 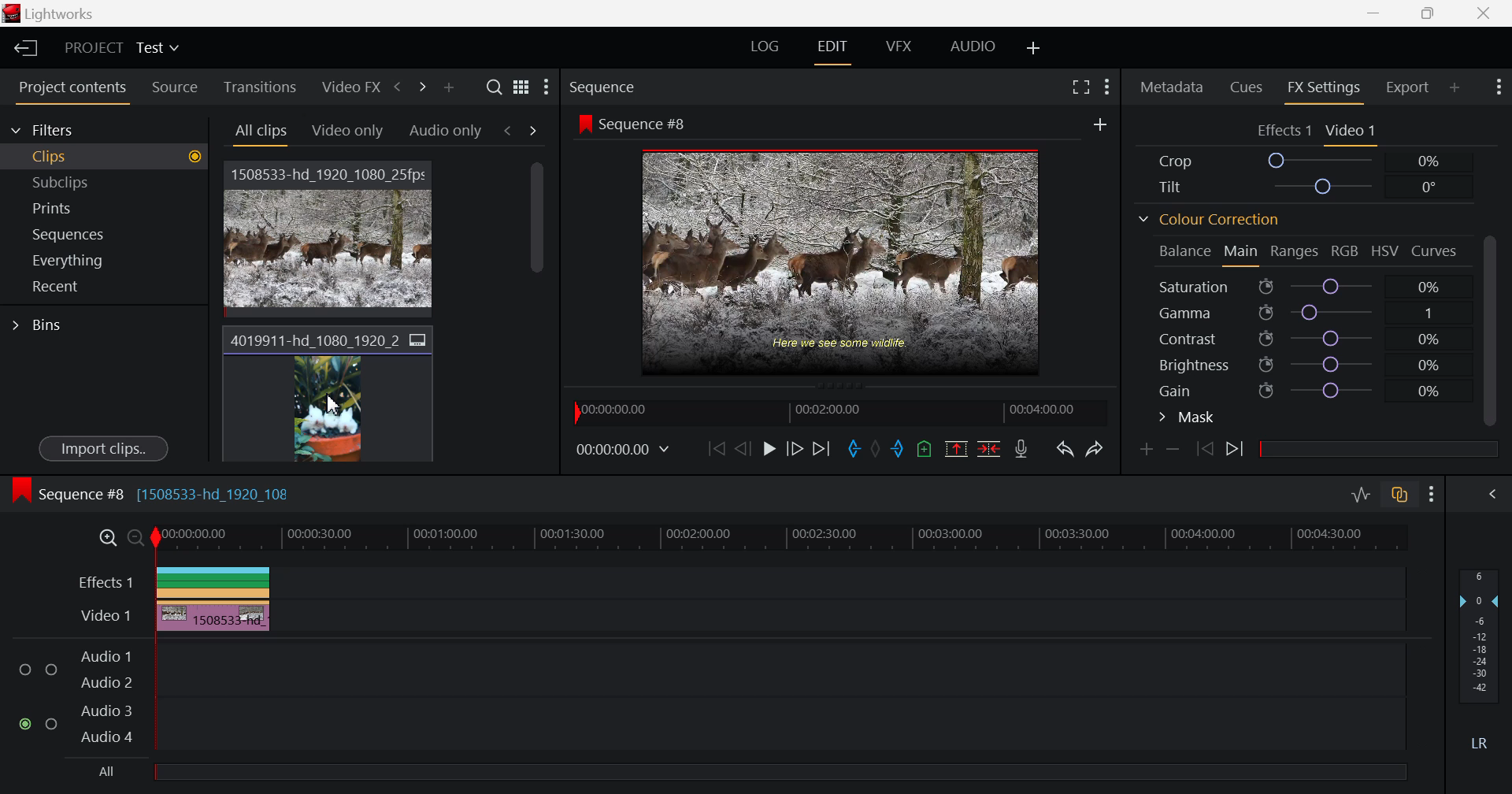 What do you see at coordinates (332, 394) in the screenshot?
I see `Cursor on Clip 2` at bounding box center [332, 394].